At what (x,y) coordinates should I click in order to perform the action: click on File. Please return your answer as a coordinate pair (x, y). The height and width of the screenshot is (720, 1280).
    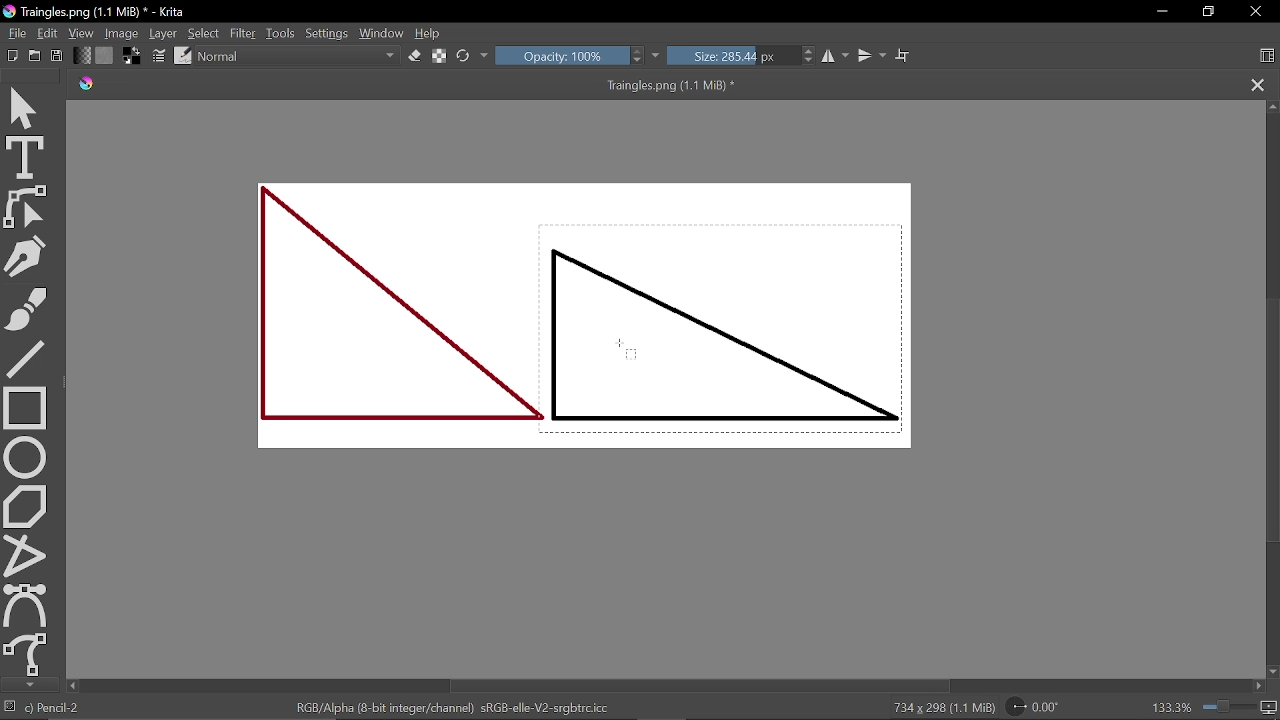
    Looking at the image, I should click on (15, 32).